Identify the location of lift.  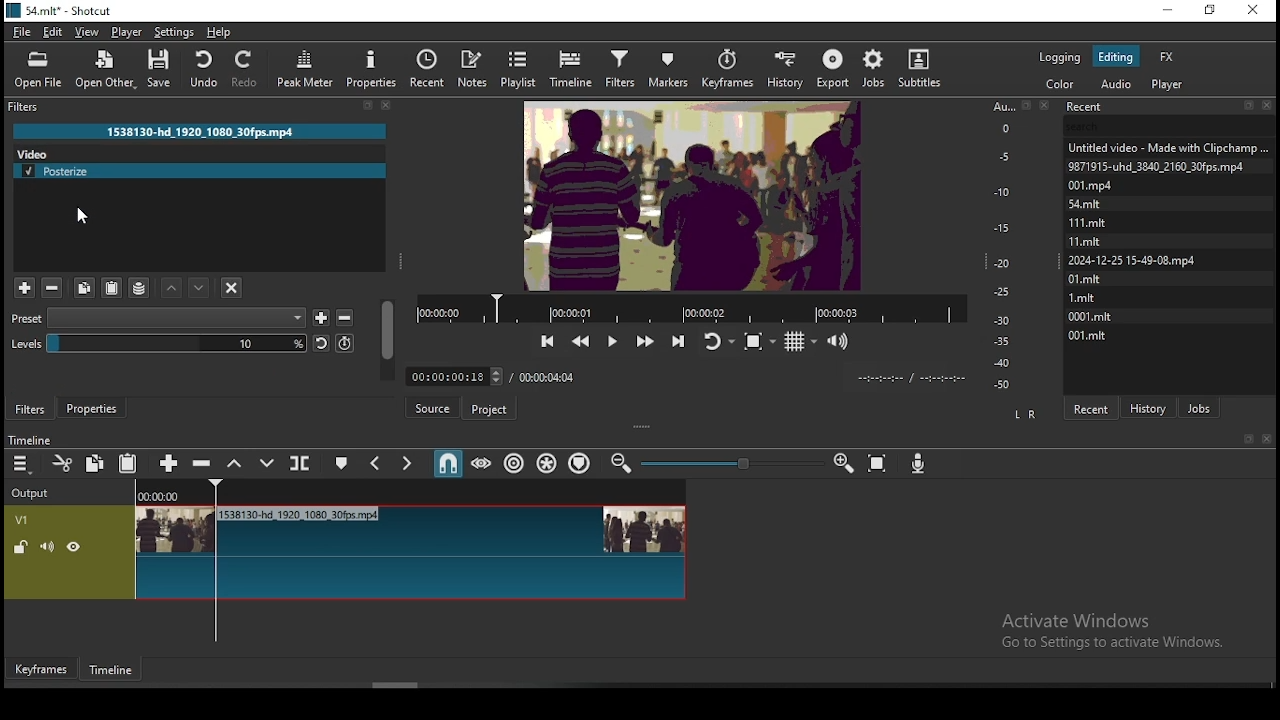
(236, 466).